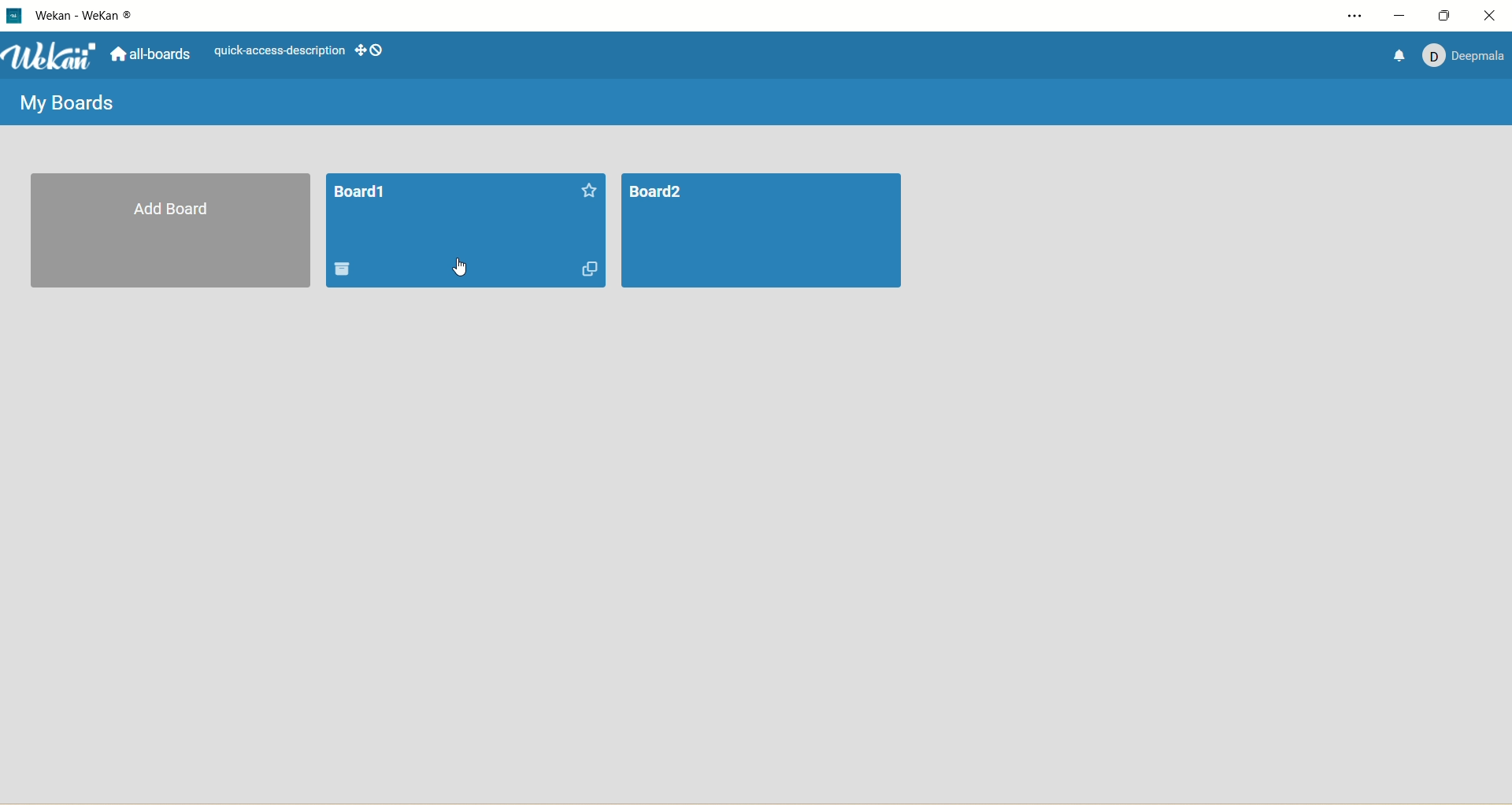  What do you see at coordinates (1359, 17) in the screenshot?
I see `settings and more` at bounding box center [1359, 17].